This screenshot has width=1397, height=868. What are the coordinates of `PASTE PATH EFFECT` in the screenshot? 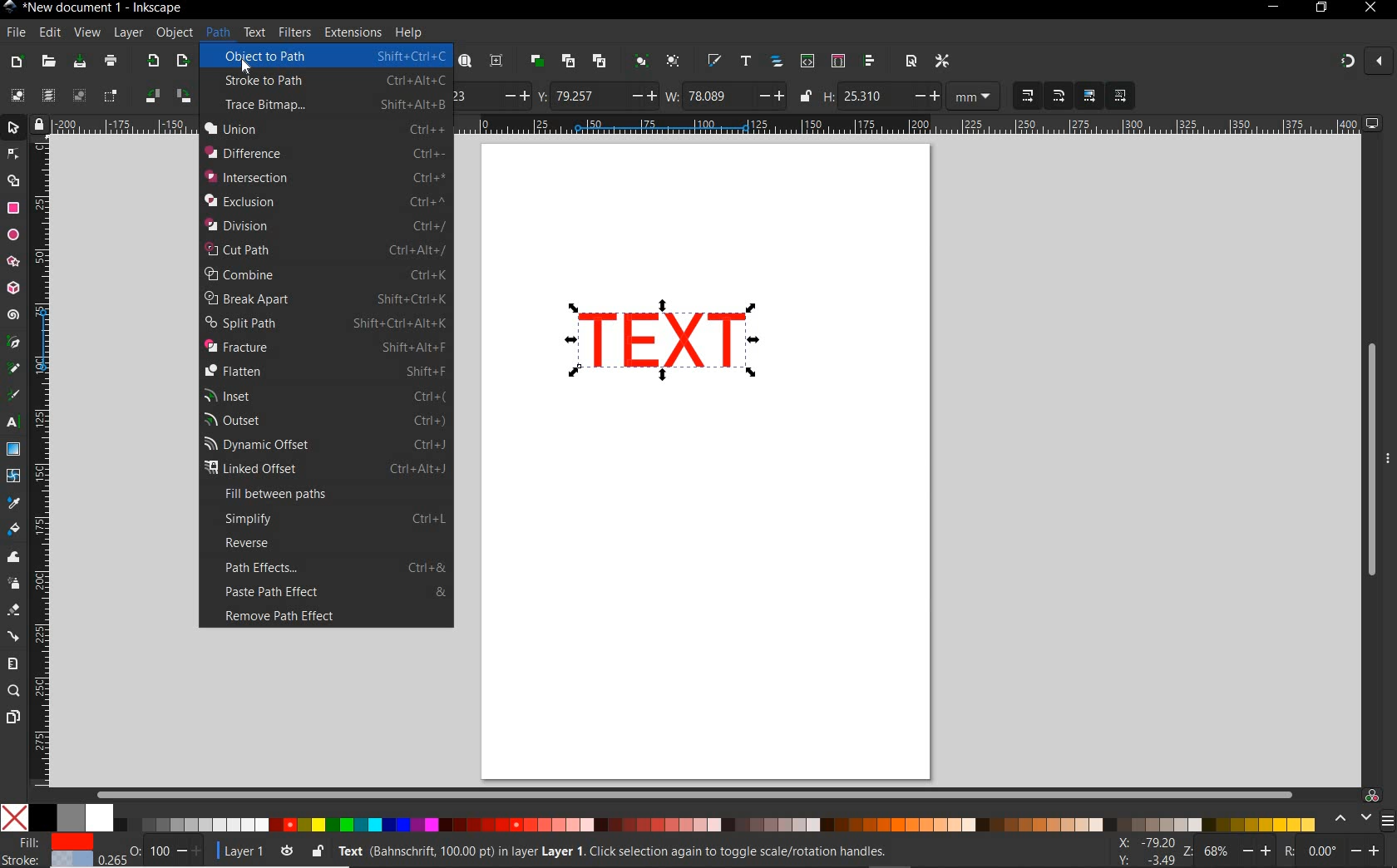 It's located at (334, 593).